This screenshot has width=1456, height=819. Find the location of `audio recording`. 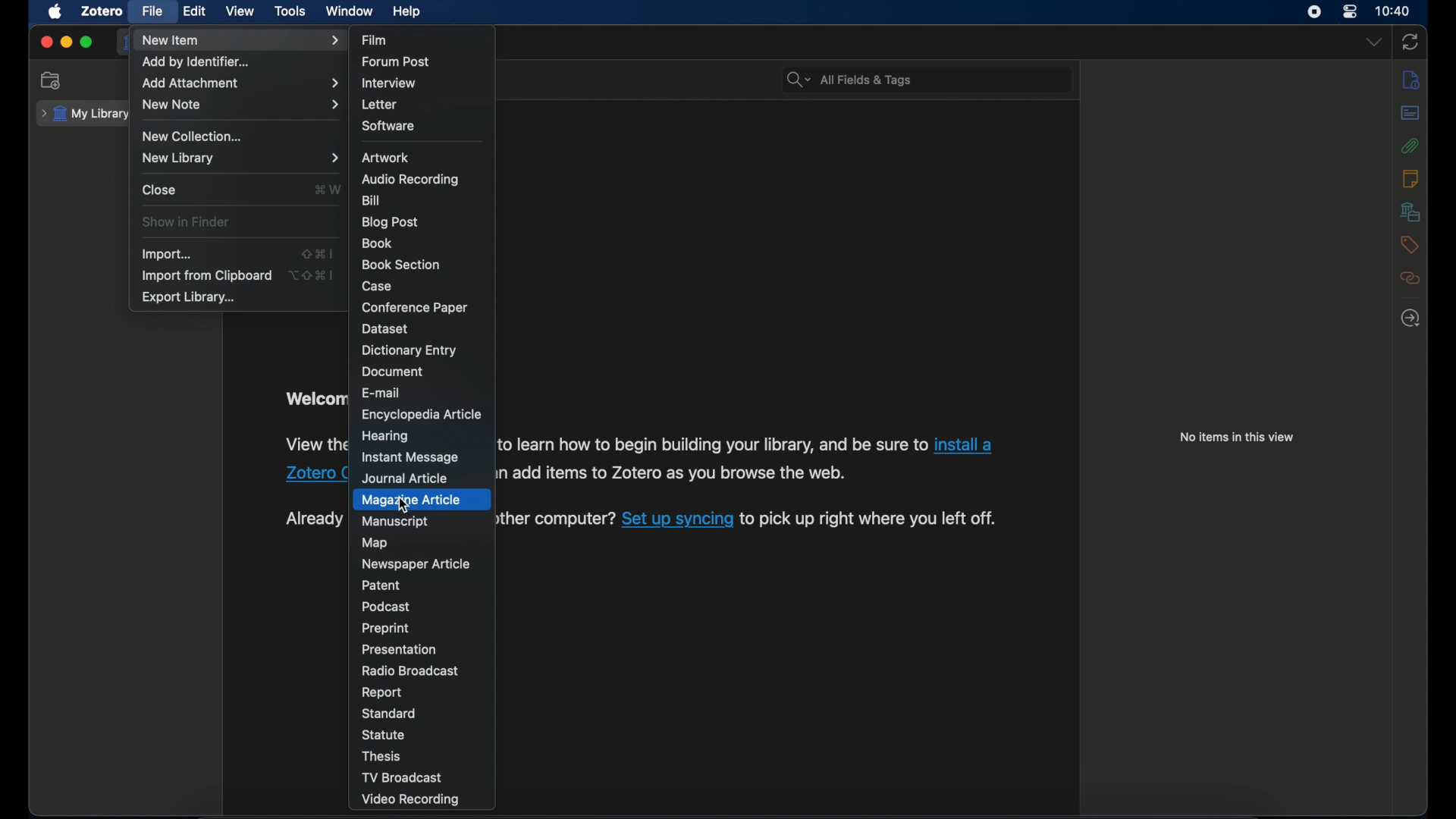

audio recording is located at coordinates (411, 179).